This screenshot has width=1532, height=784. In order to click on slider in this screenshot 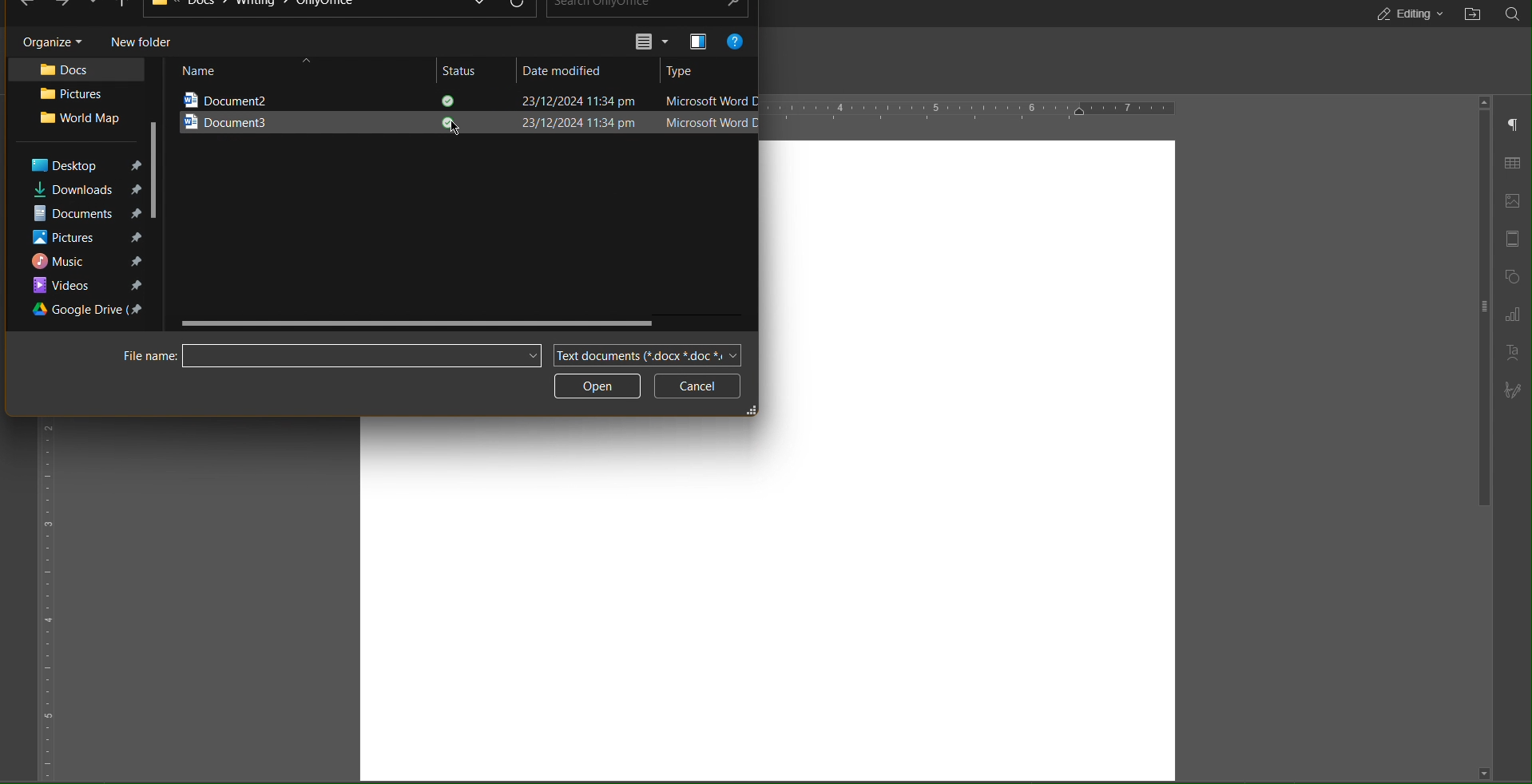, I will do `click(1479, 315)`.